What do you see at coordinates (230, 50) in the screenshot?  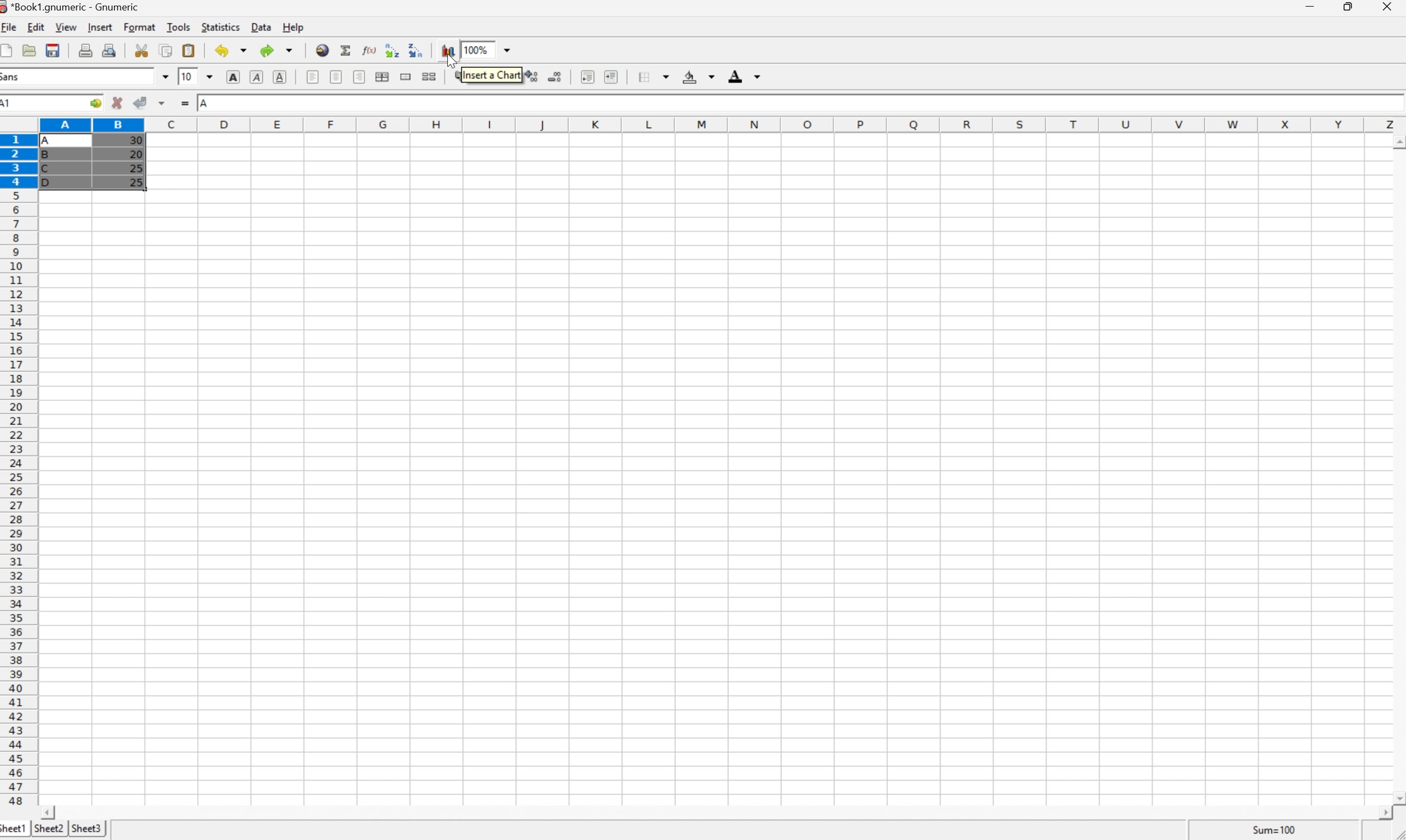 I see `Undo` at bounding box center [230, 50].